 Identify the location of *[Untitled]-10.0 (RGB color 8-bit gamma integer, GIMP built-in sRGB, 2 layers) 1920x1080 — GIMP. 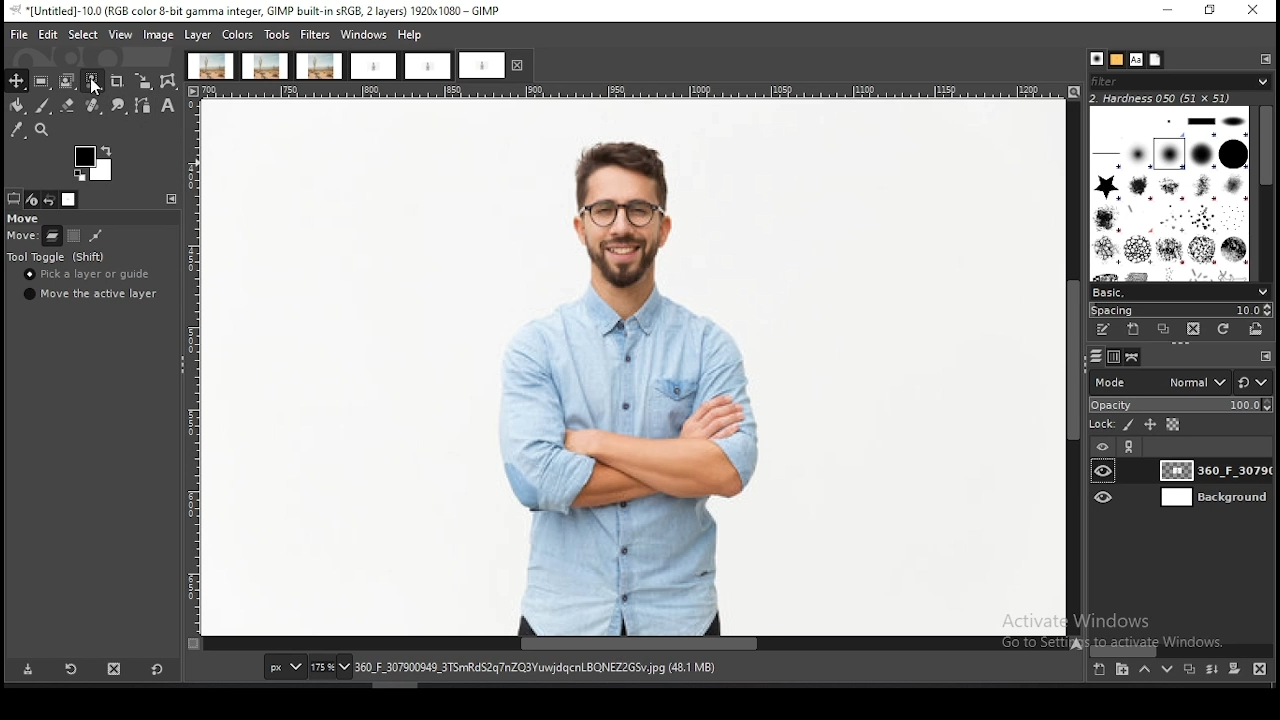
(259, 9).